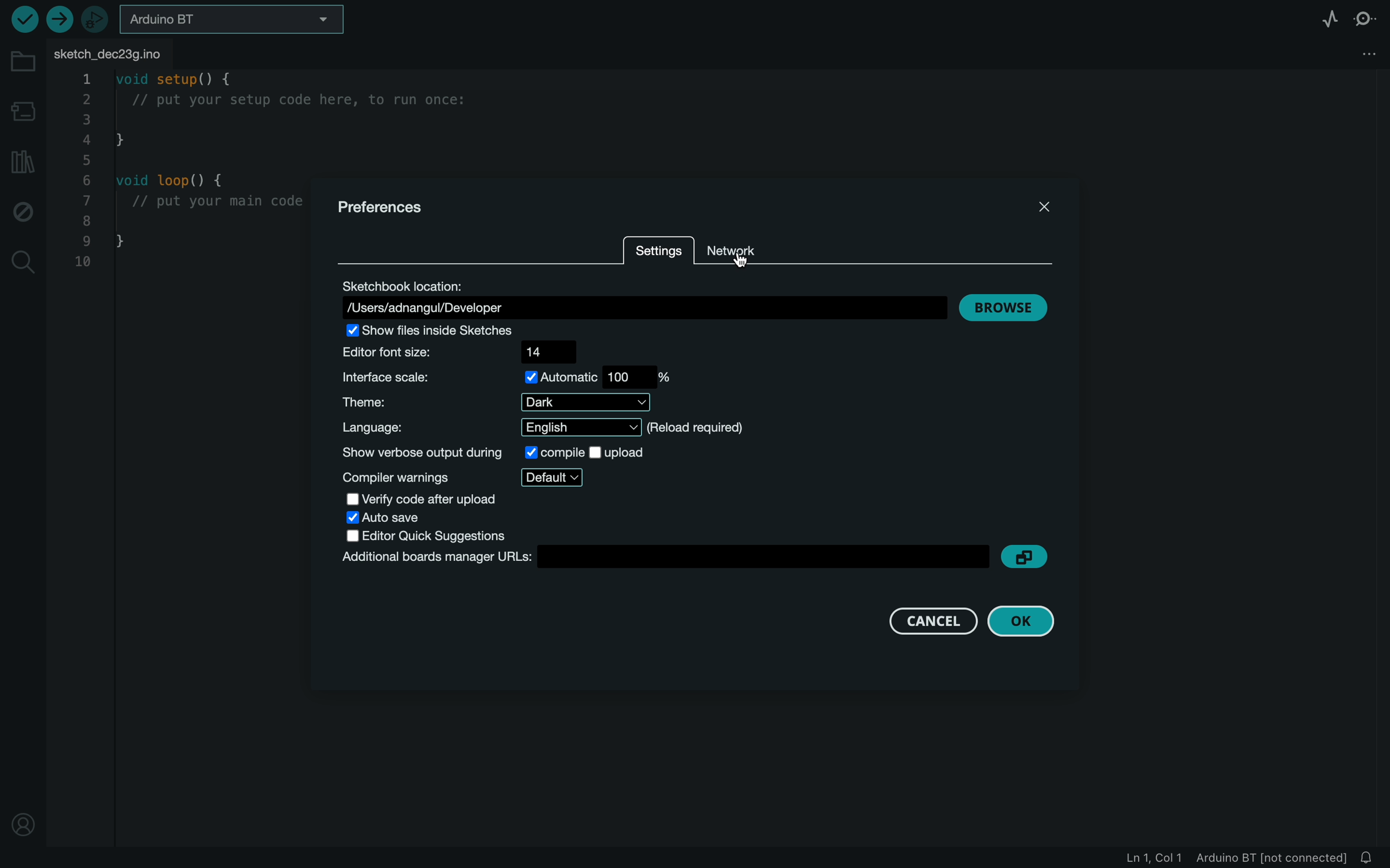 Image resolution: width=1390 pixels, height=868 pixels. I want to click on browse, so click(1006, 305).